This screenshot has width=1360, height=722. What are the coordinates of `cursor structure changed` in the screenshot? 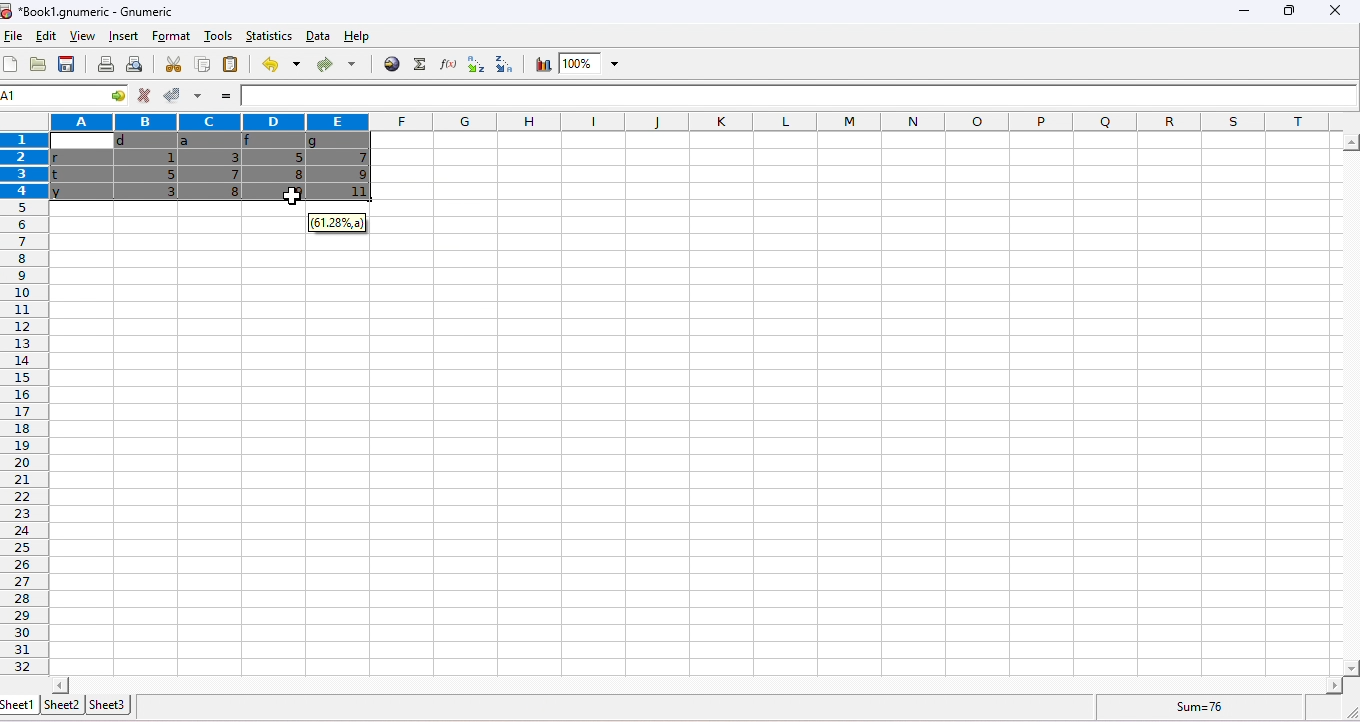 It's located at (291, 195).